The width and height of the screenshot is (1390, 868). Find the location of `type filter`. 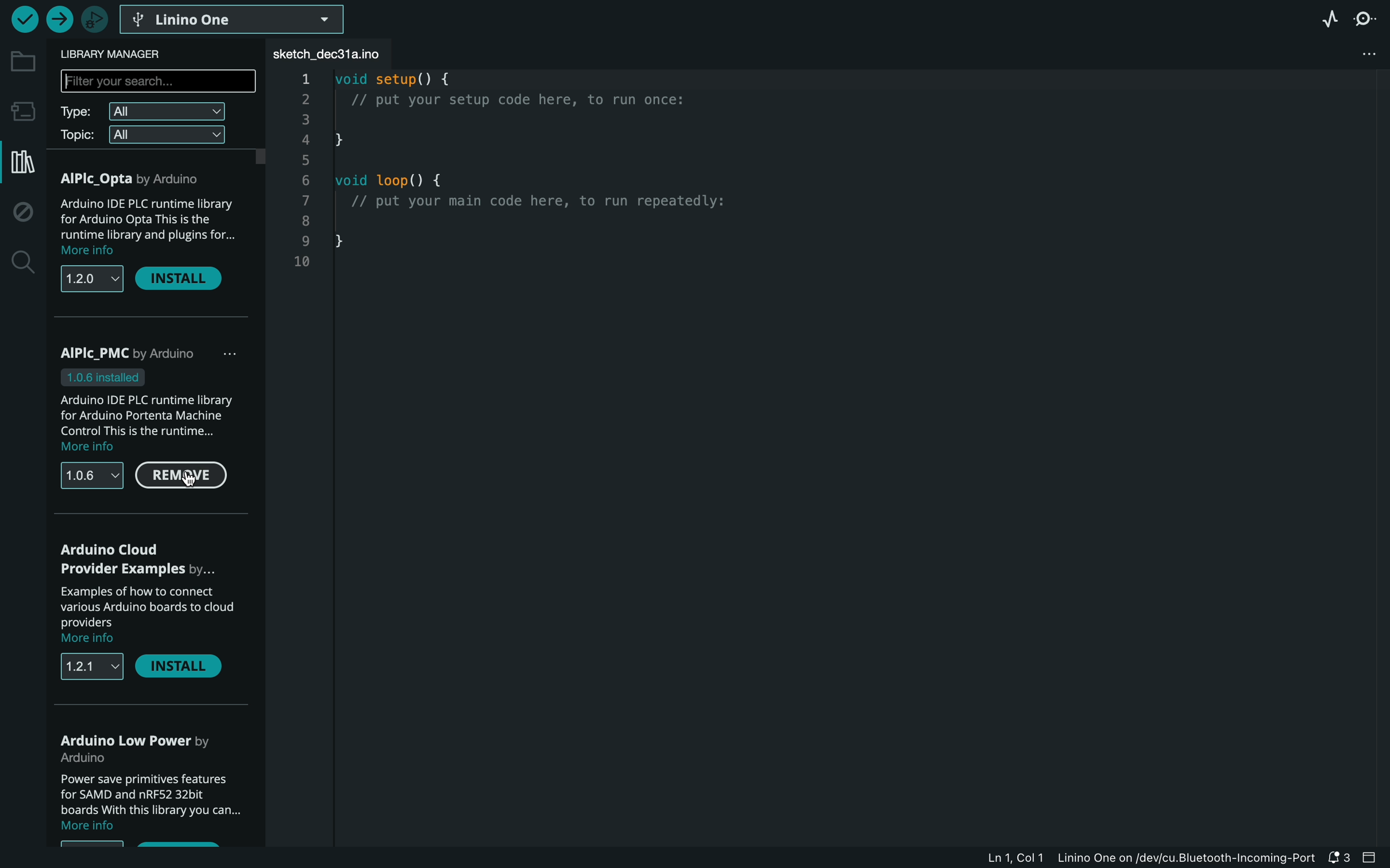

type filter is located at coordinates (144, 111).